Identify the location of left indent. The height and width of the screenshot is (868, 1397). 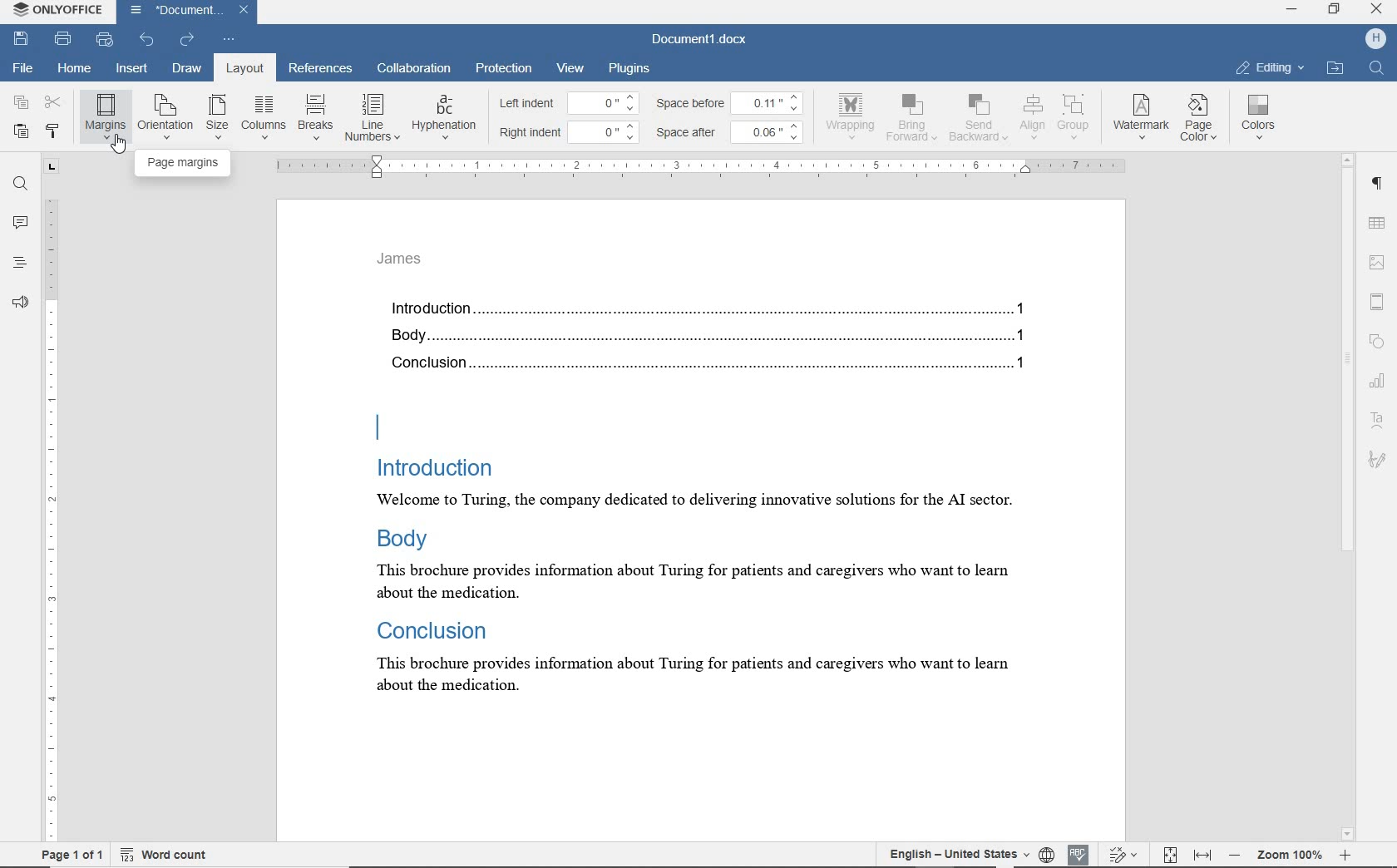
(526, 105).